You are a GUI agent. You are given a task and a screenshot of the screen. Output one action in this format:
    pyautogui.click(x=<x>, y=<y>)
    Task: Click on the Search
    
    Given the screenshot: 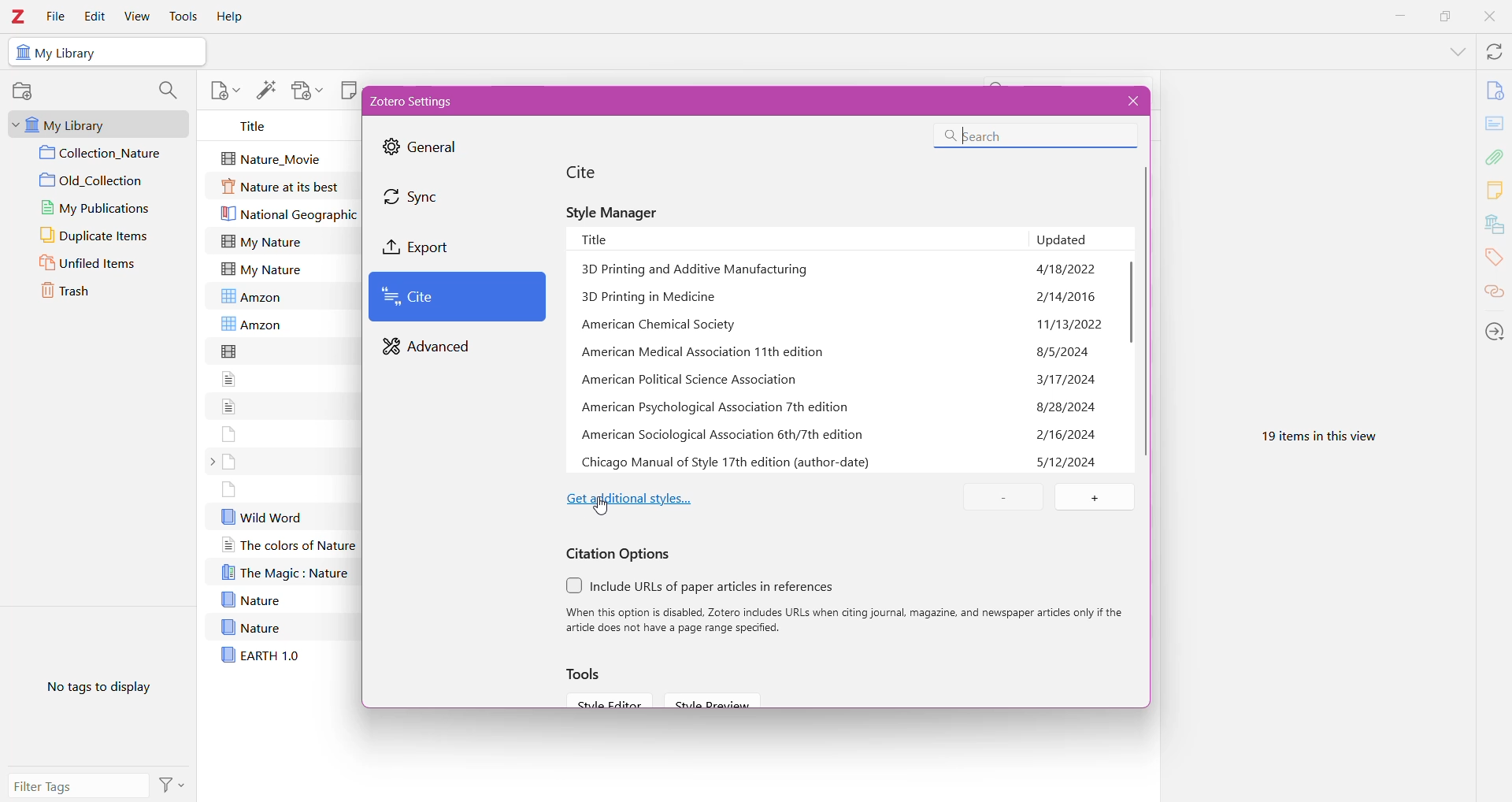 What is the action you would take?
    pyautogui.click(x=1032, y=136)
    